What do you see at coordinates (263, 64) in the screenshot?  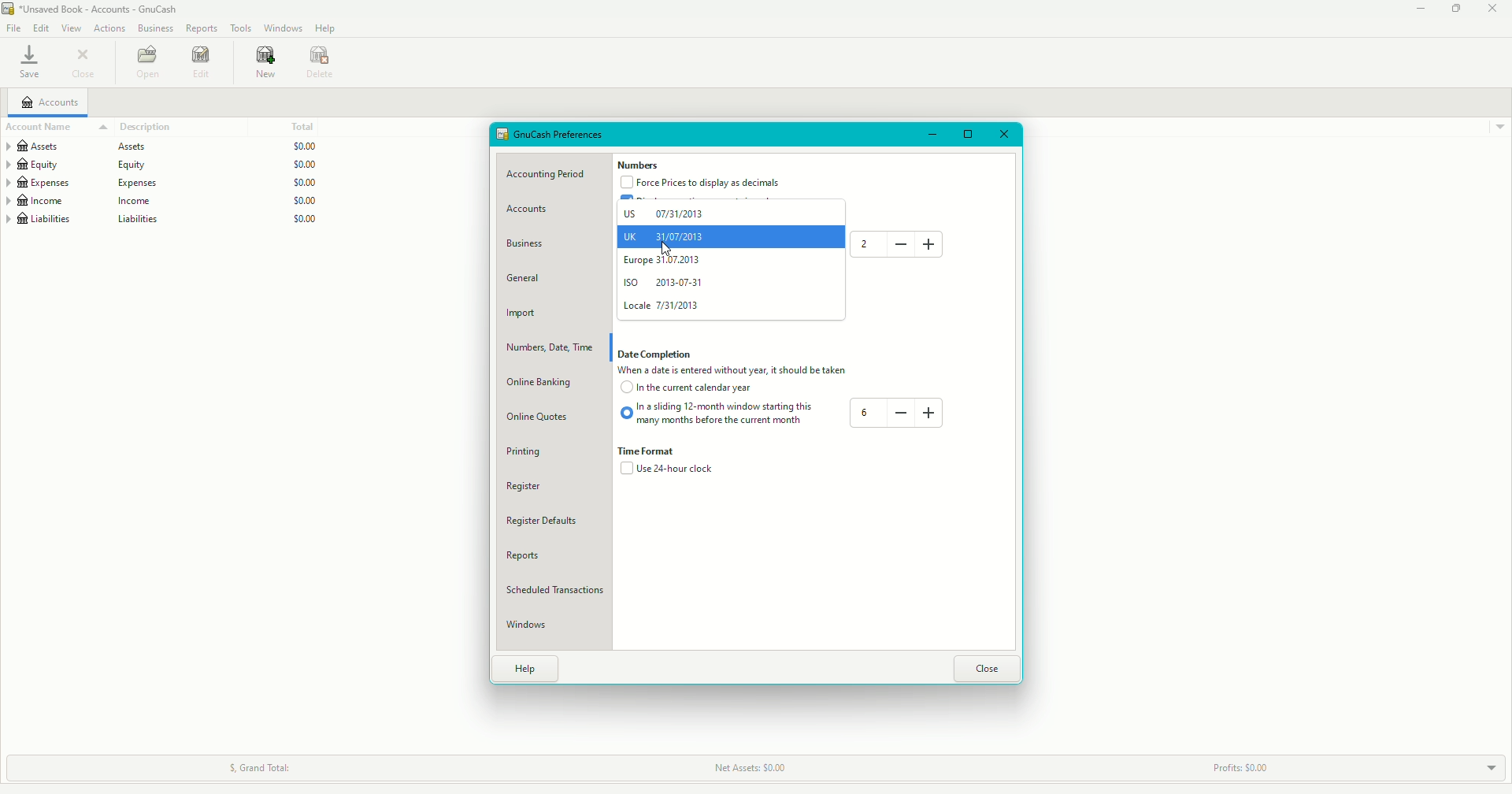 I see `New` at bounding box center [263, 64].